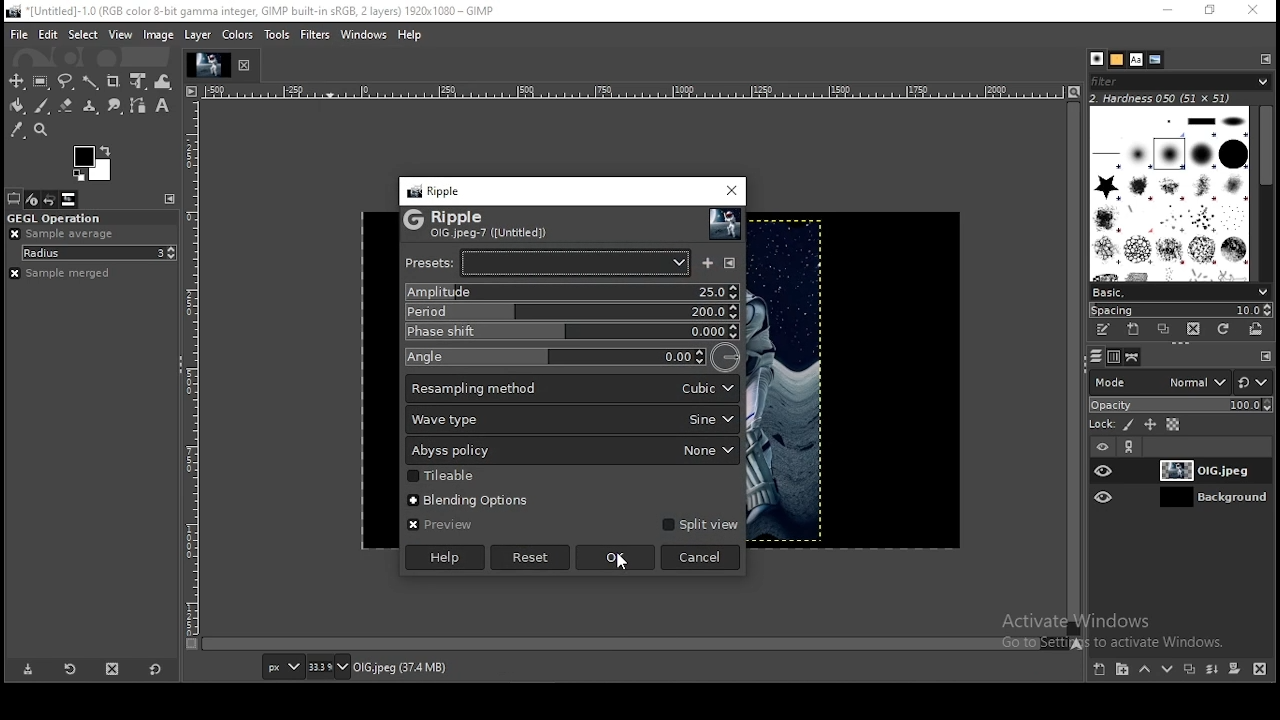 This screenshot has width=1280, height=720. I want to click on rectangle select tool, so click(43, 82).